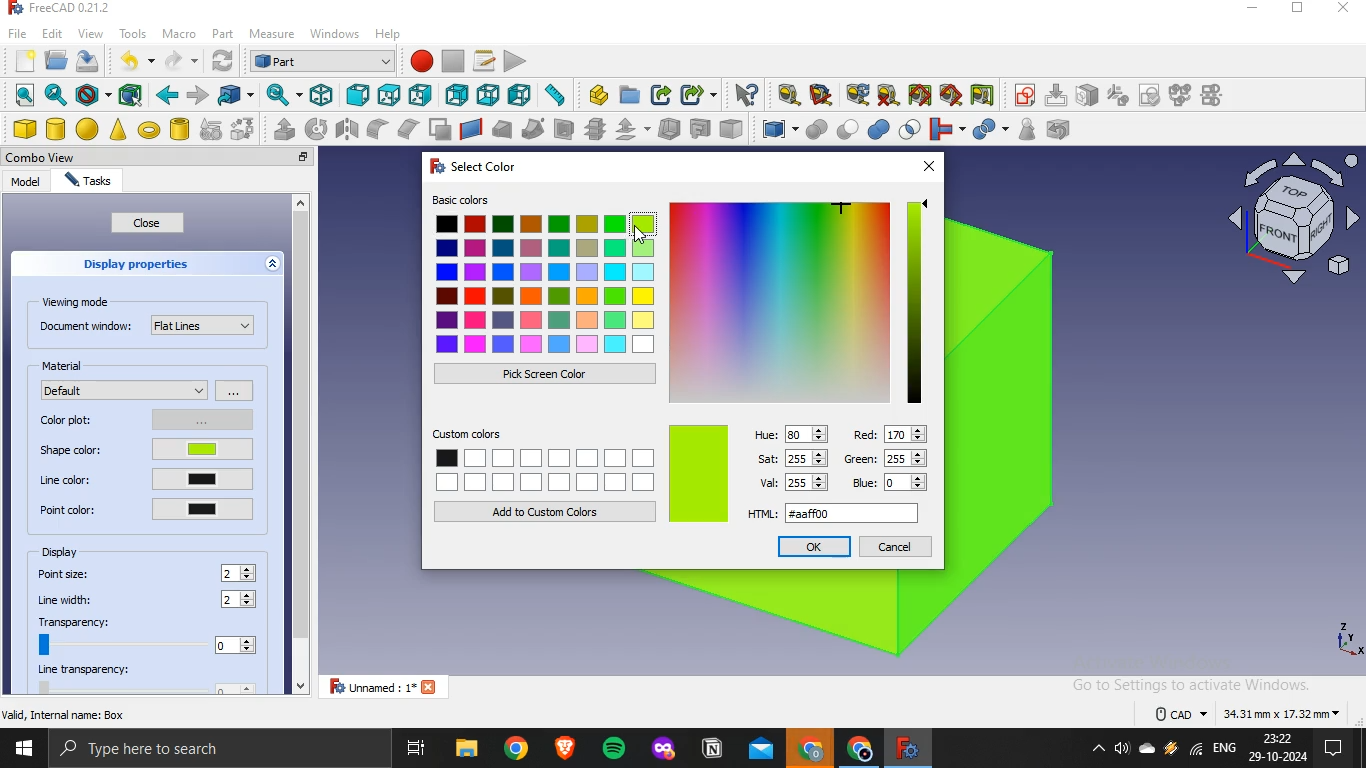  Describe the element at coordinates (143, 418) in the screenshot. I see `color plot` at that location.